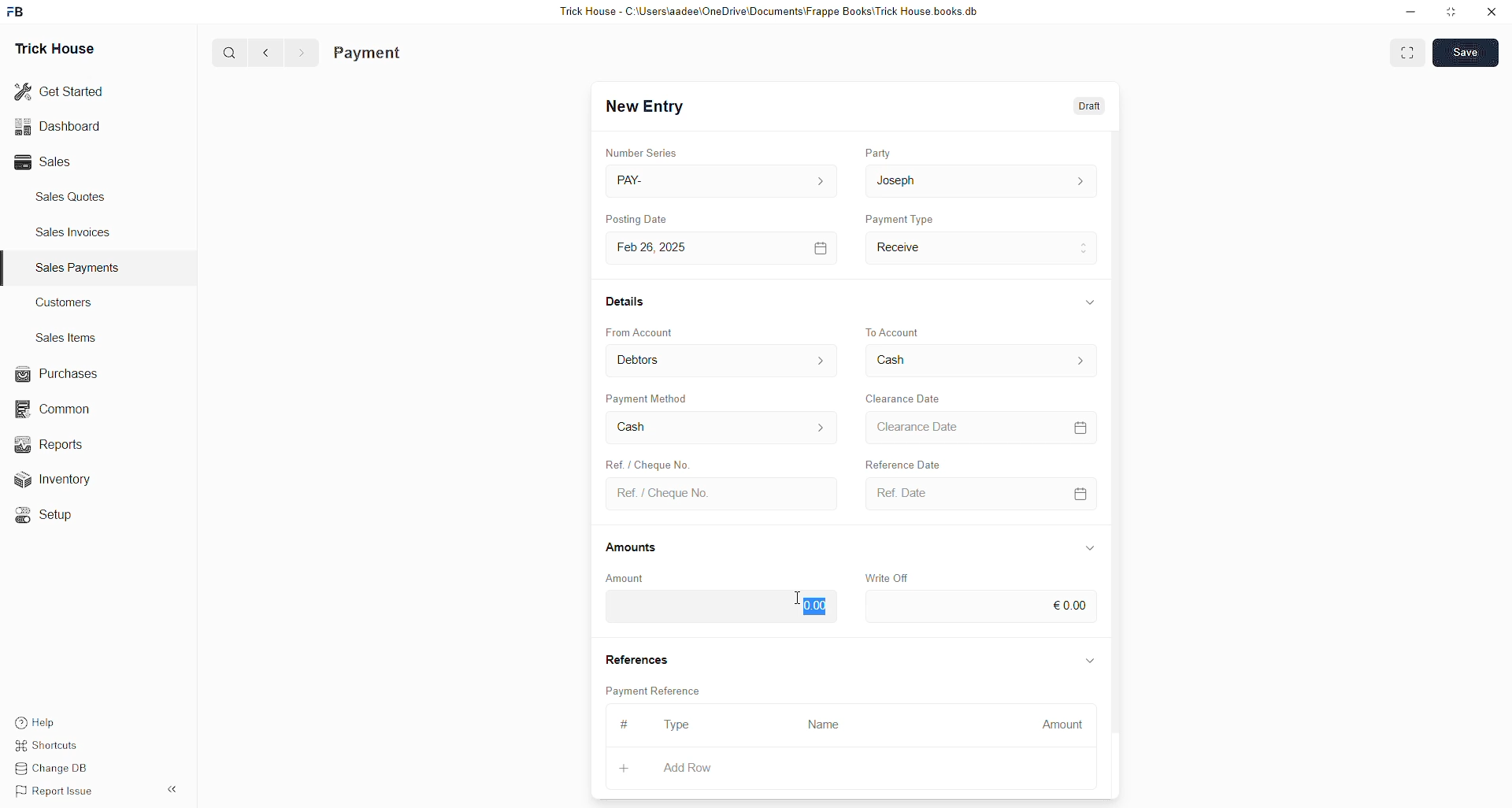 Image resolution: width=1512 pixels, height=808 pixels. What do you see at coordinates (723, 360) in the screenshot?
I see `From Account` at bounding box center [723, 360].